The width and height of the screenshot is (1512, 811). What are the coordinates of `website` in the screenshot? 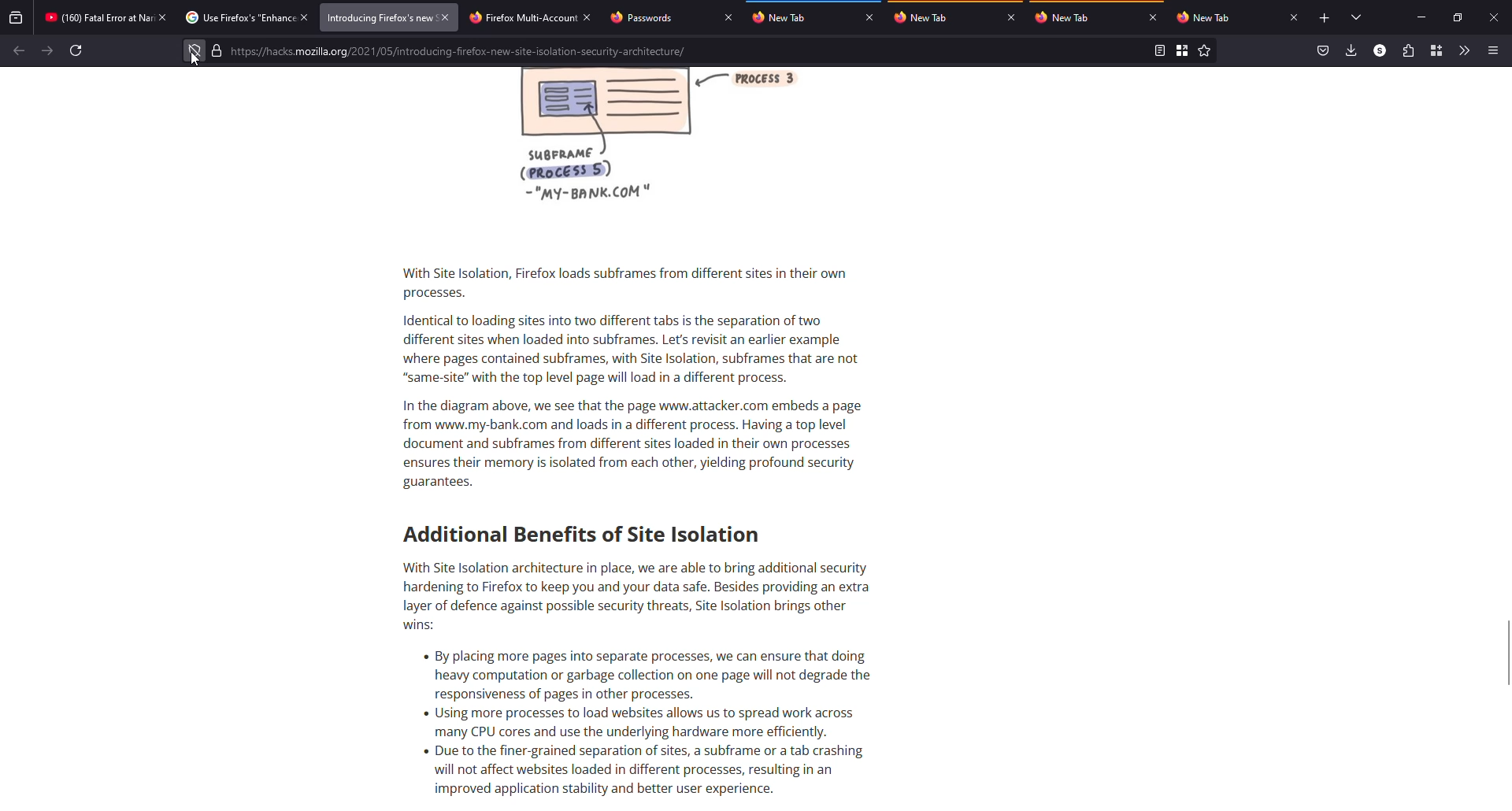 It's located at (461, 53).